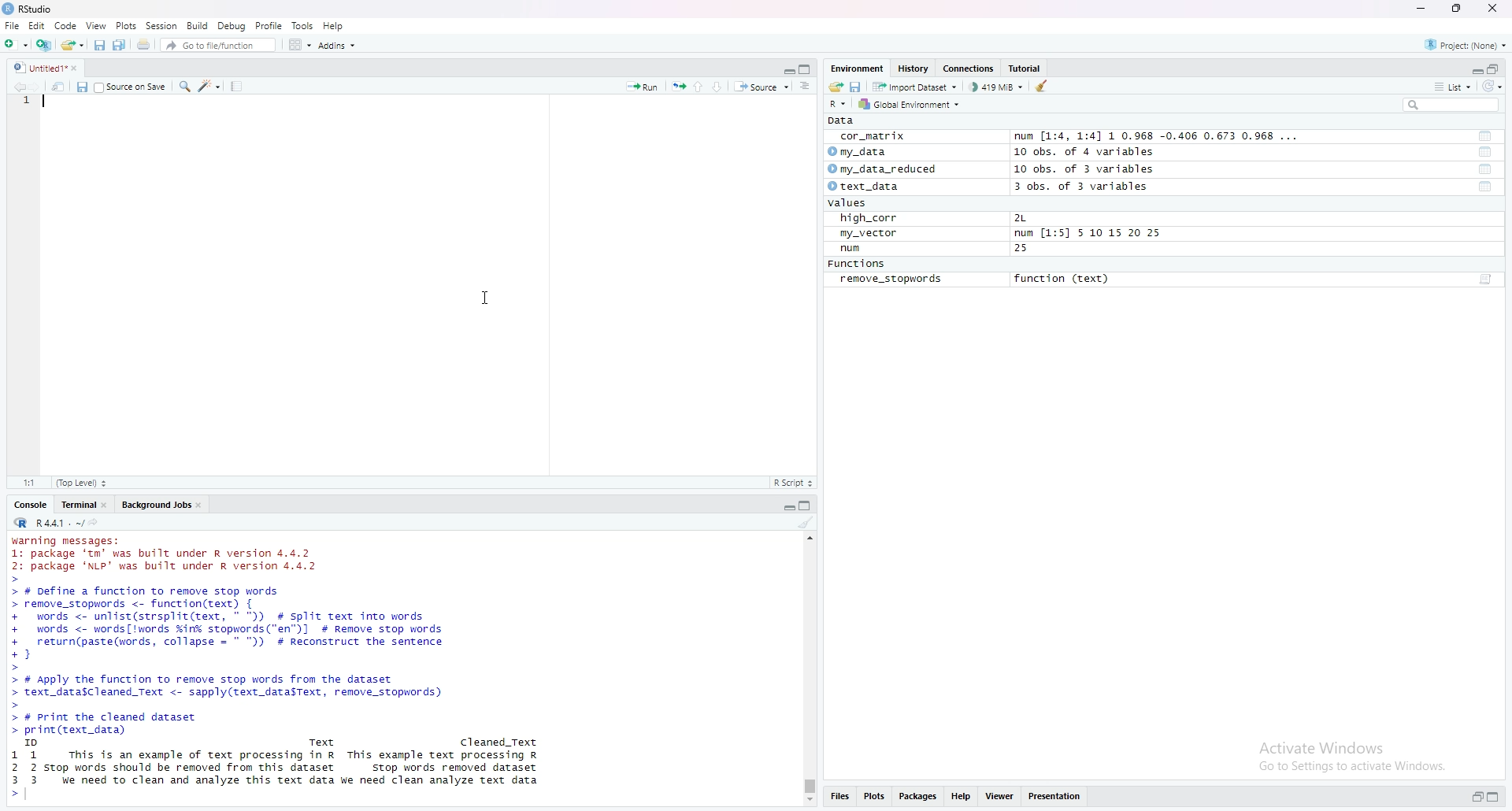 This screenshot has width=1512, height=811. I want to click on Cursor, so click(487, 297).